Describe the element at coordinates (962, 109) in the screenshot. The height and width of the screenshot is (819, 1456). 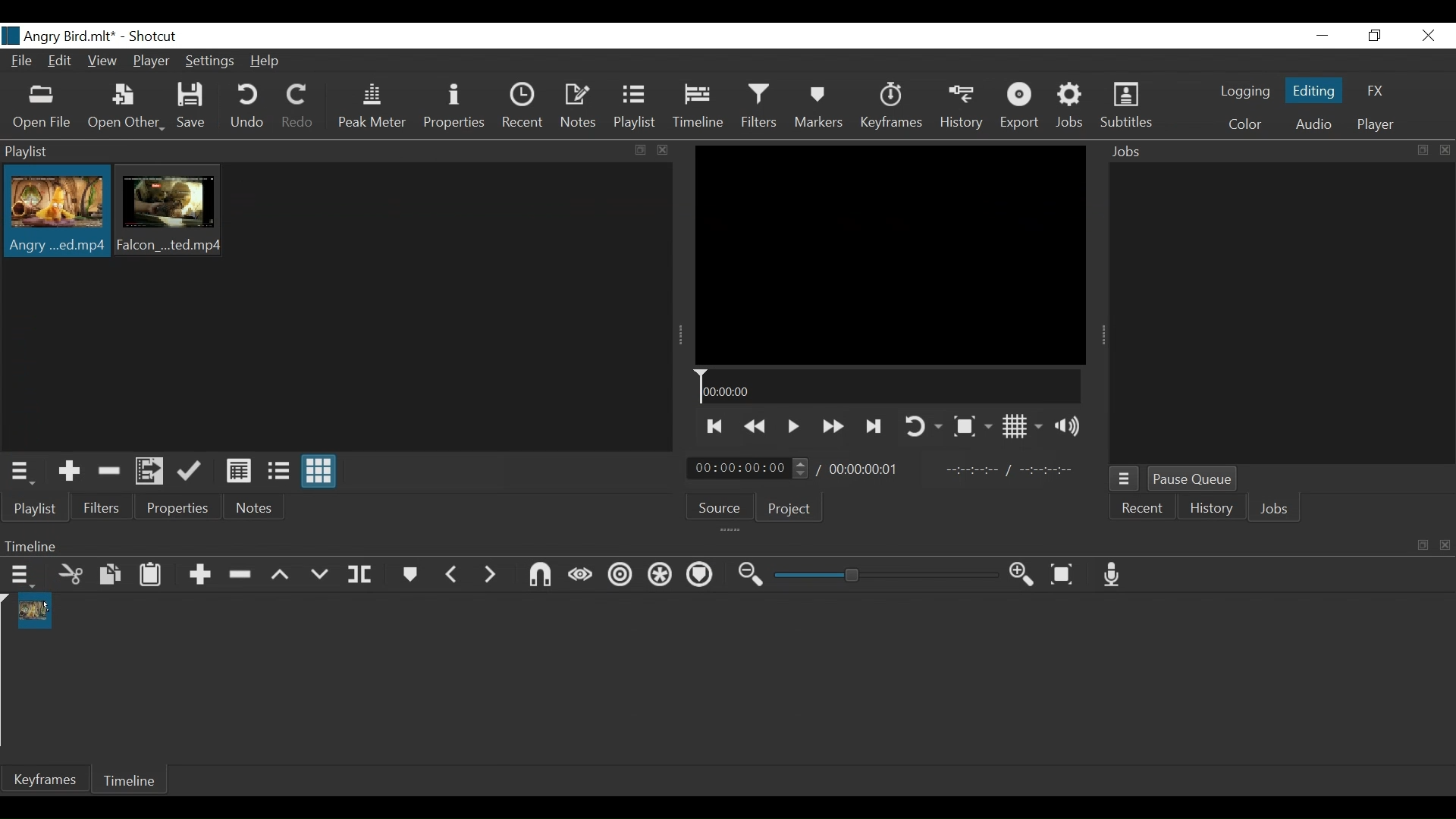
I see `History` at that location.